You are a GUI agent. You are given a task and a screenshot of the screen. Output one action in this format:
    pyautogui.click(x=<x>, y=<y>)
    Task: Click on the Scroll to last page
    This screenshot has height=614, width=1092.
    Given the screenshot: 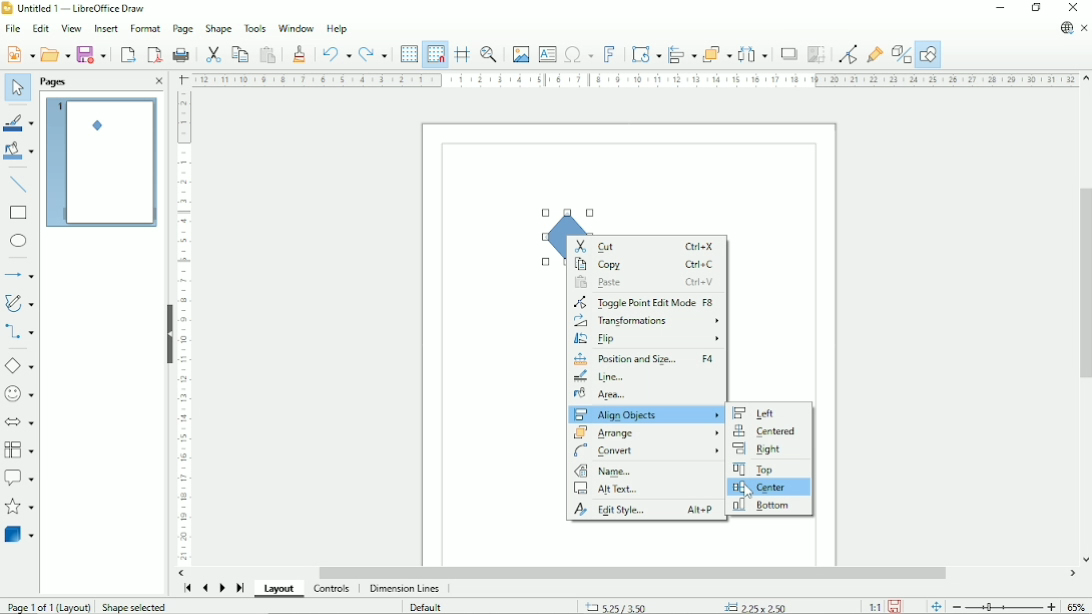 What is the action you would take?
    pyautogui.click(x=241, y=587)
    